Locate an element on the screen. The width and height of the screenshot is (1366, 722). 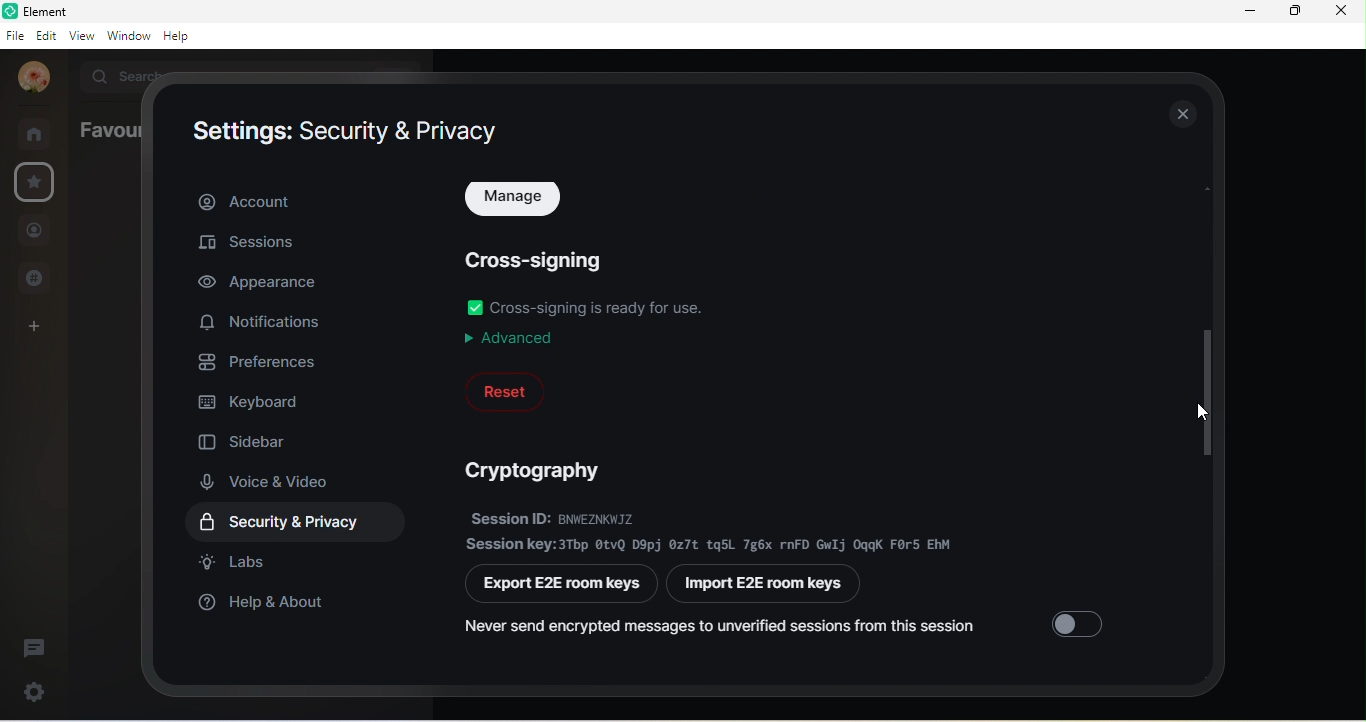
labs is located at coordinates (237, 562).